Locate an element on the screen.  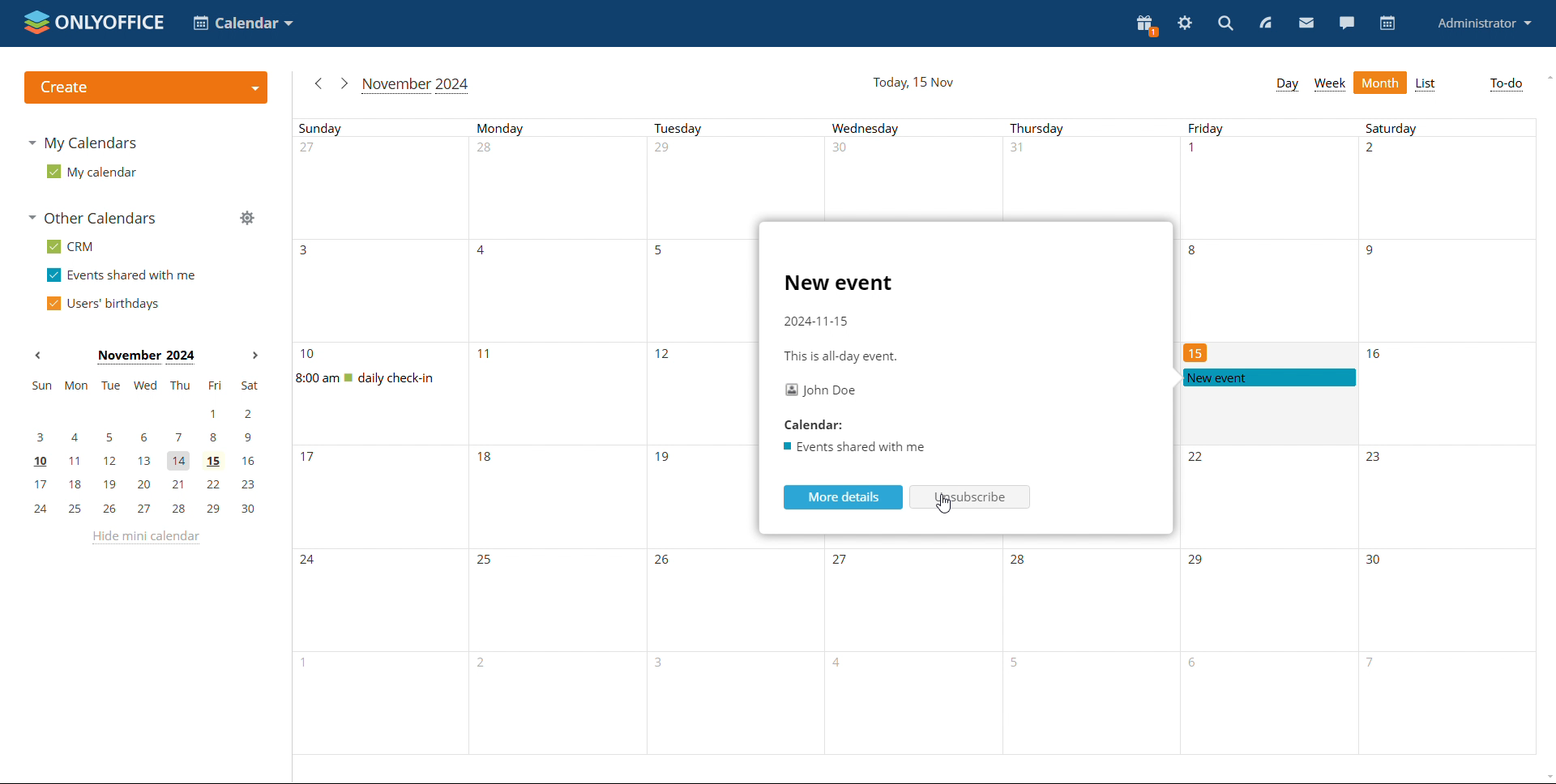
organiser is located at coordinates (819, 390).